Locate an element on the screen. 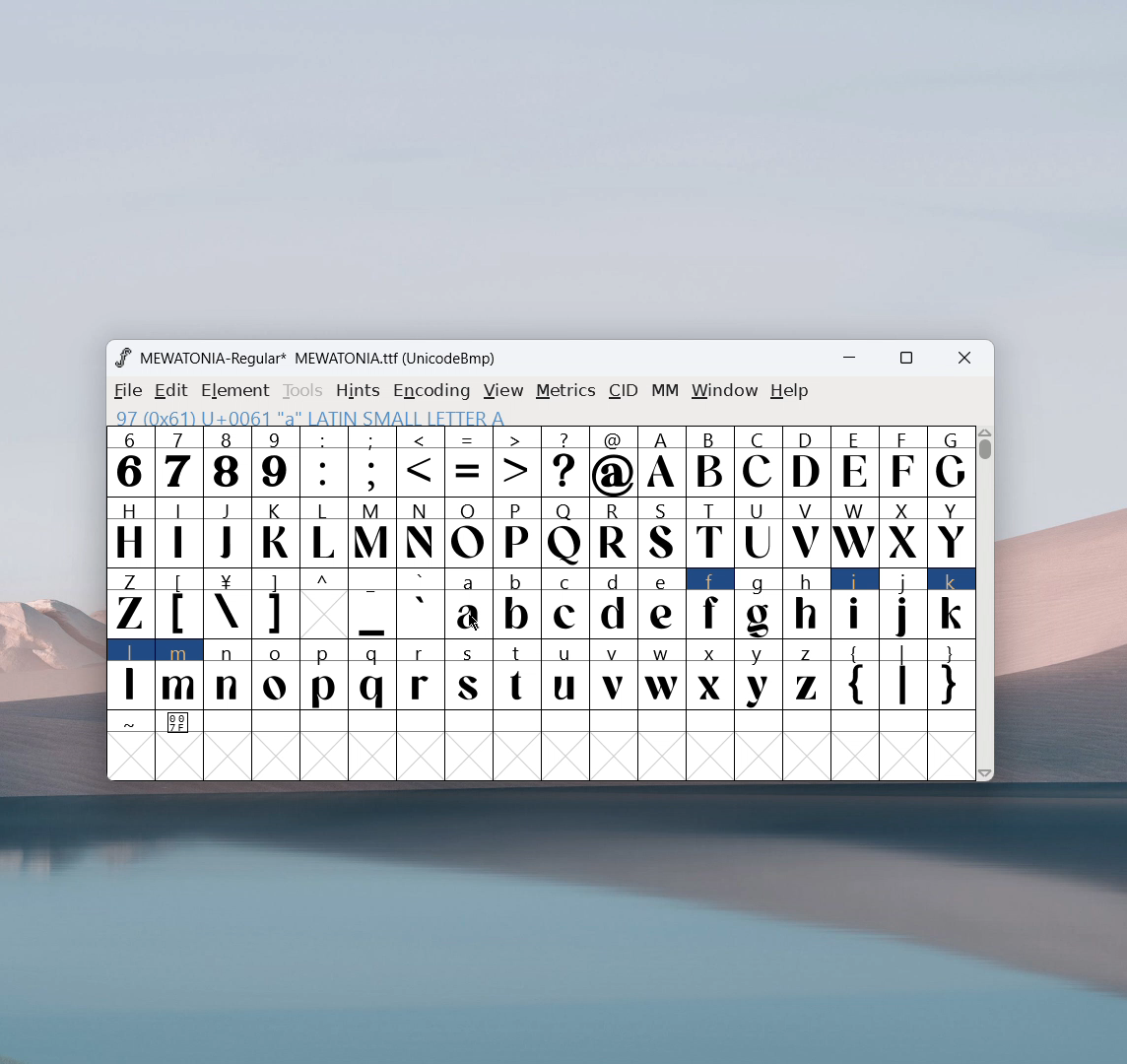 The image size is (1127, 1064). G is located at coordinates (951, 461).